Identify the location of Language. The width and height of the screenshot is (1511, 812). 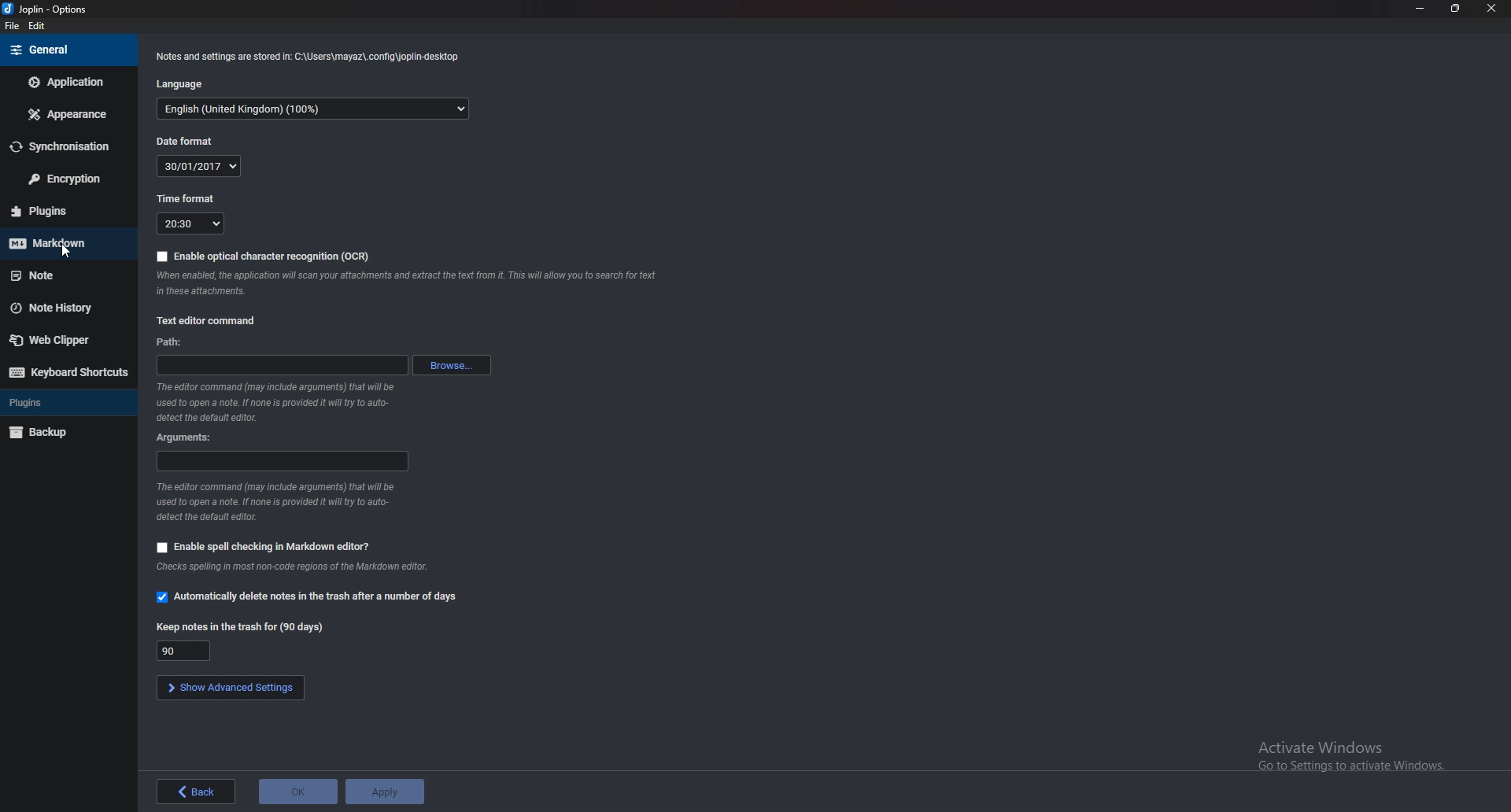
(183, 83).